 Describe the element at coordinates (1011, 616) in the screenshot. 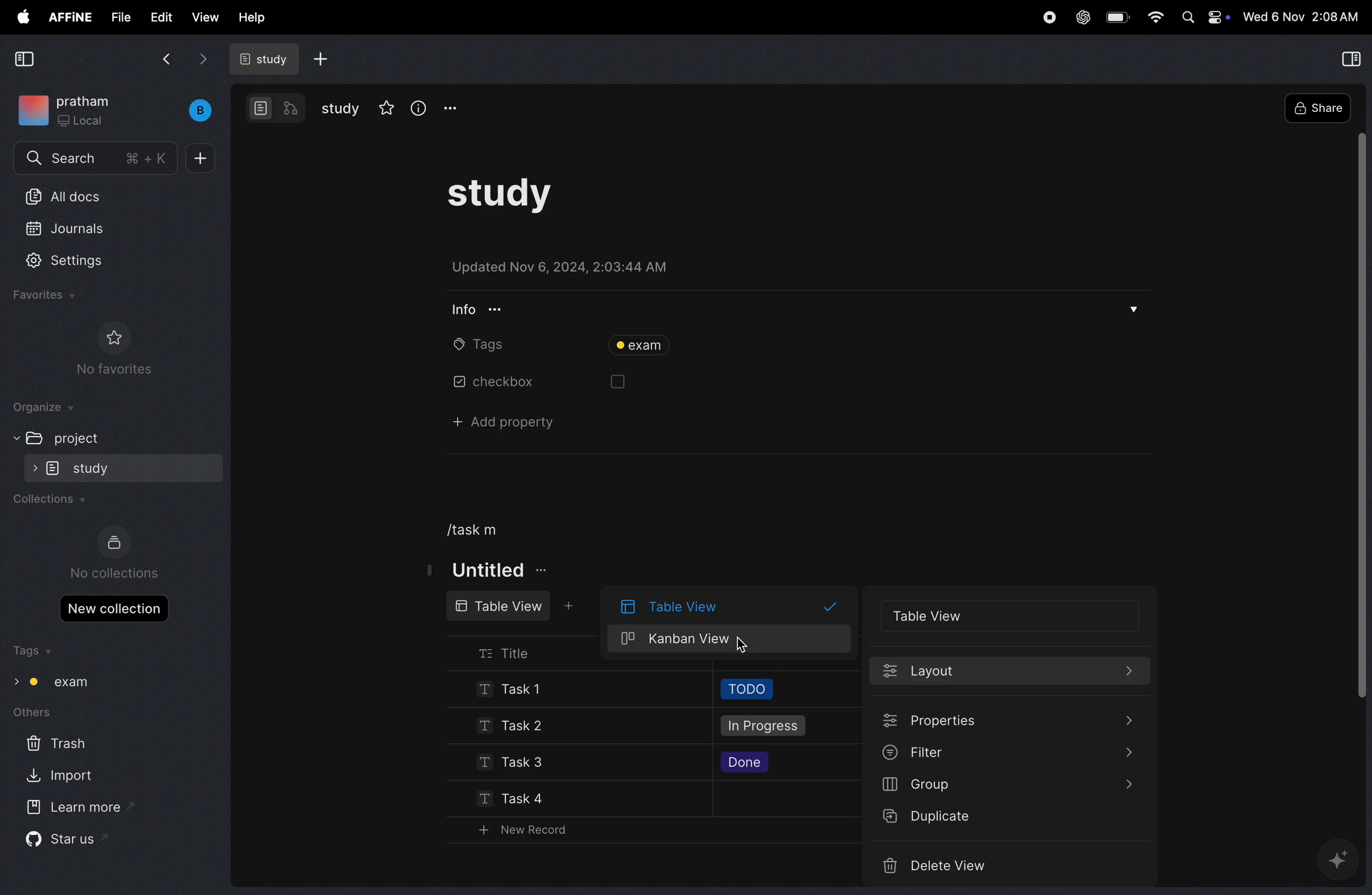

I see `table` at that location.